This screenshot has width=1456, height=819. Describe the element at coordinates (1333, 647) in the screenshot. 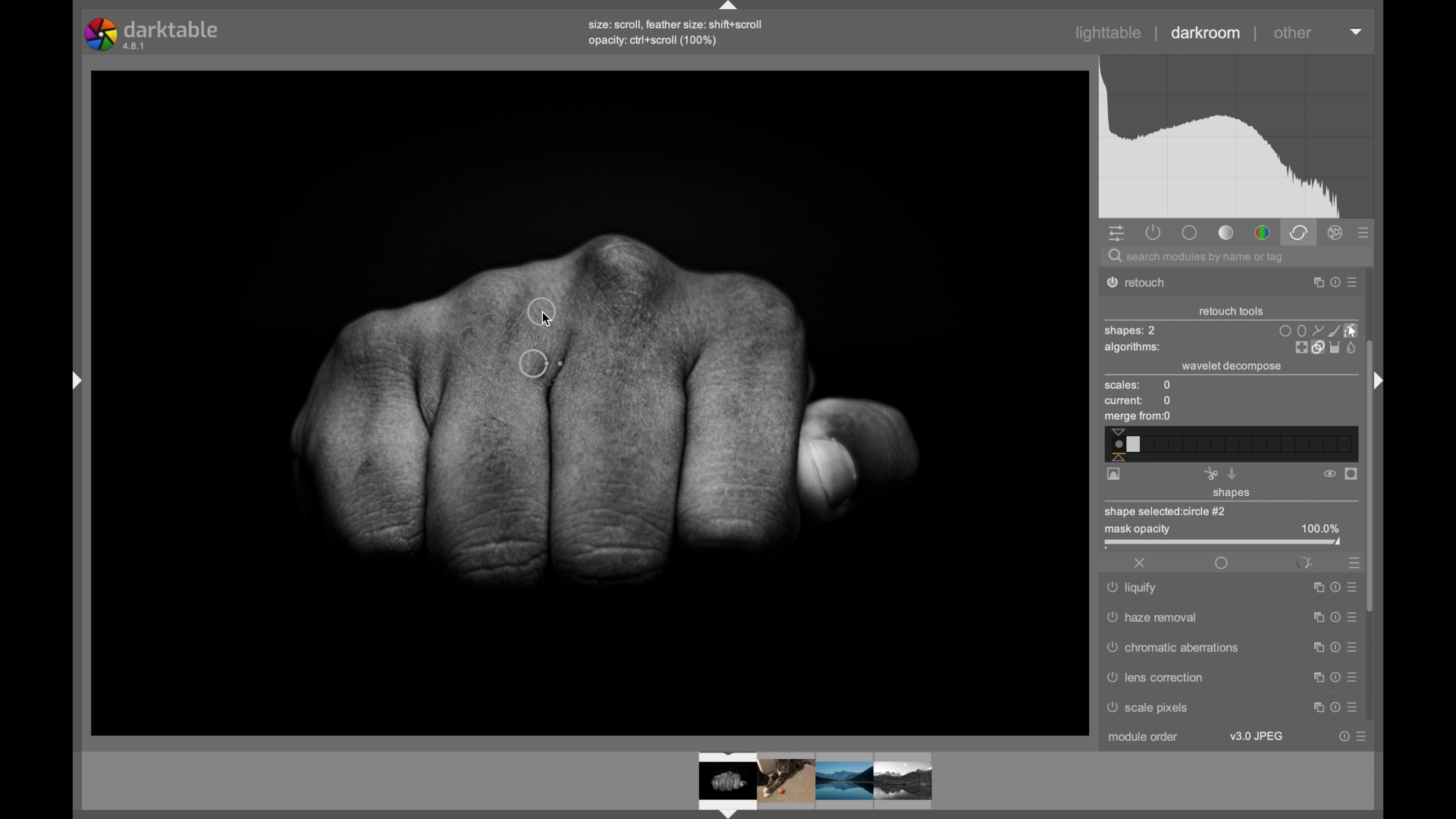

I see `help` at that location.